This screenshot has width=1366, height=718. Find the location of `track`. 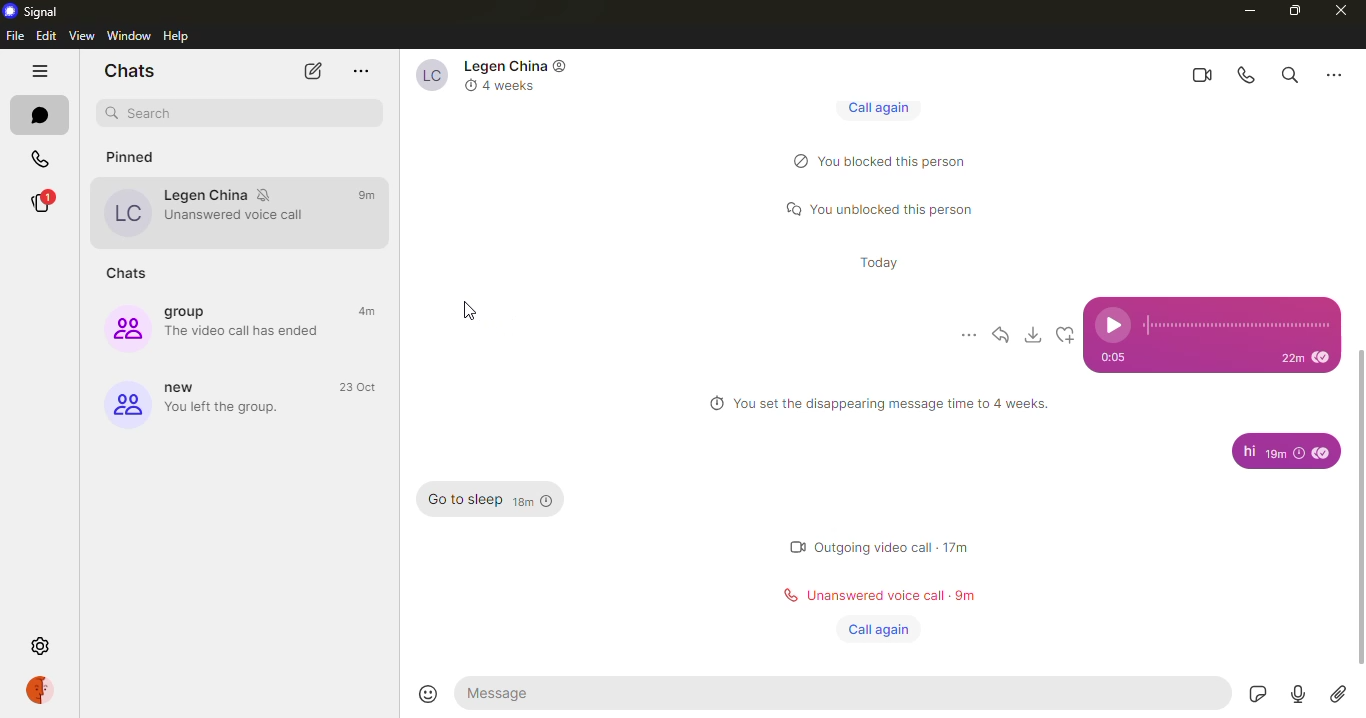

track is located at coordinates (1238, 324).